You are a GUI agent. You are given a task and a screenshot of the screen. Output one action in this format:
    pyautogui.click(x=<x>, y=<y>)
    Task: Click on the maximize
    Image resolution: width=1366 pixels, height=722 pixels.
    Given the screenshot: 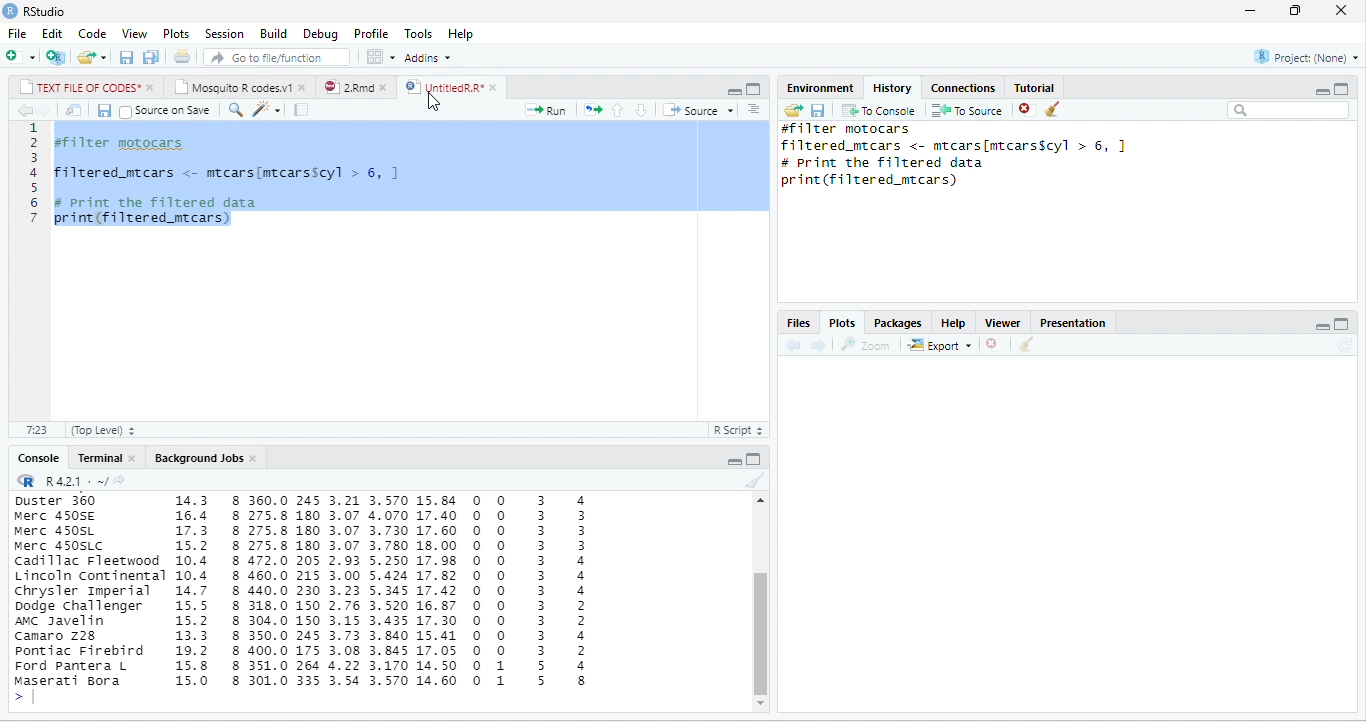 What is the action you would take?
    pyautogui.click(x=753, y=460)
    